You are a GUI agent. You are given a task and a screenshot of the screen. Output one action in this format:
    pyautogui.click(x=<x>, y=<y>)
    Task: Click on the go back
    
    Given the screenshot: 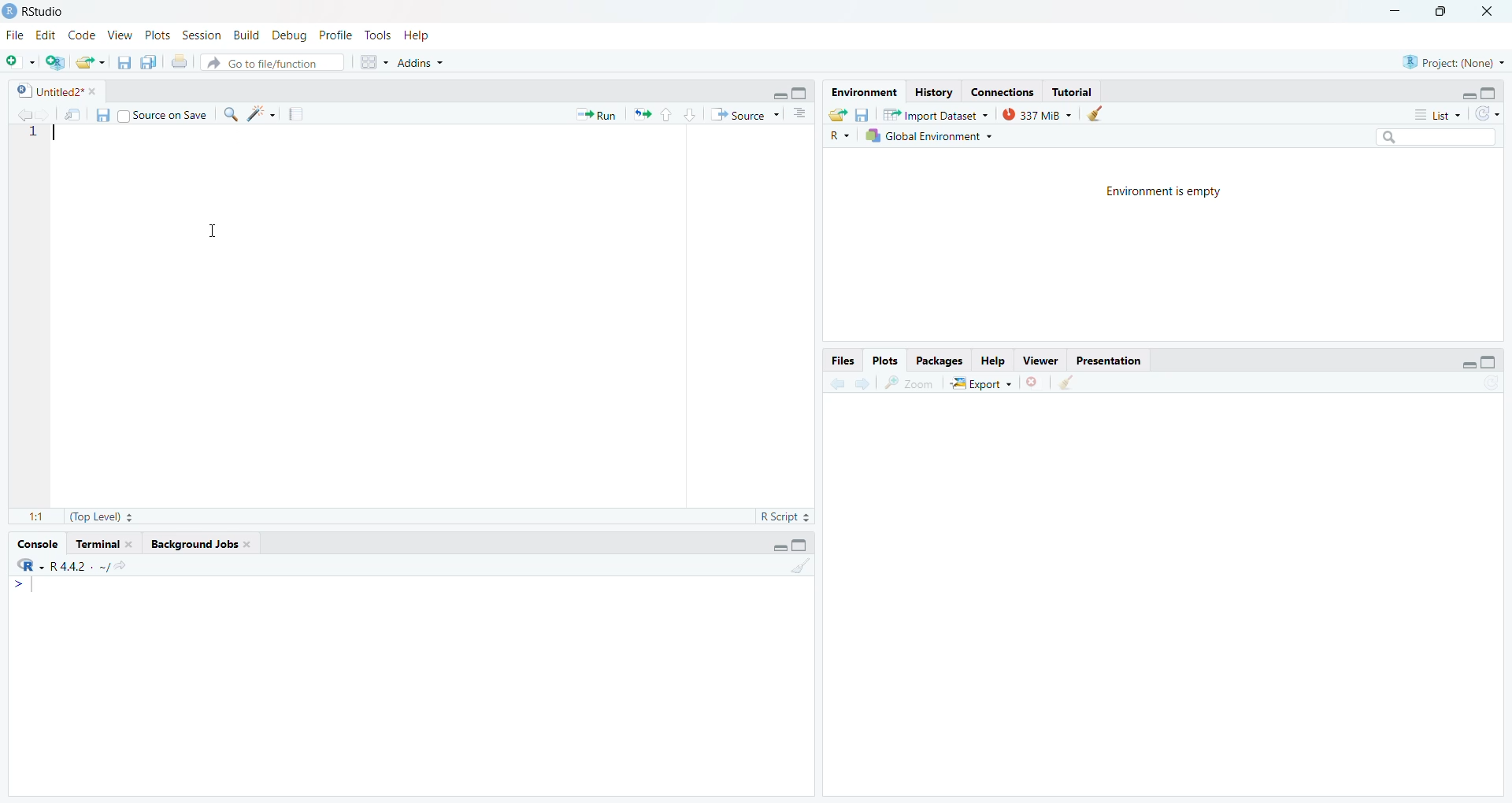 What is the action you would take?
    pyautogui.click(x=837, y=383)
    